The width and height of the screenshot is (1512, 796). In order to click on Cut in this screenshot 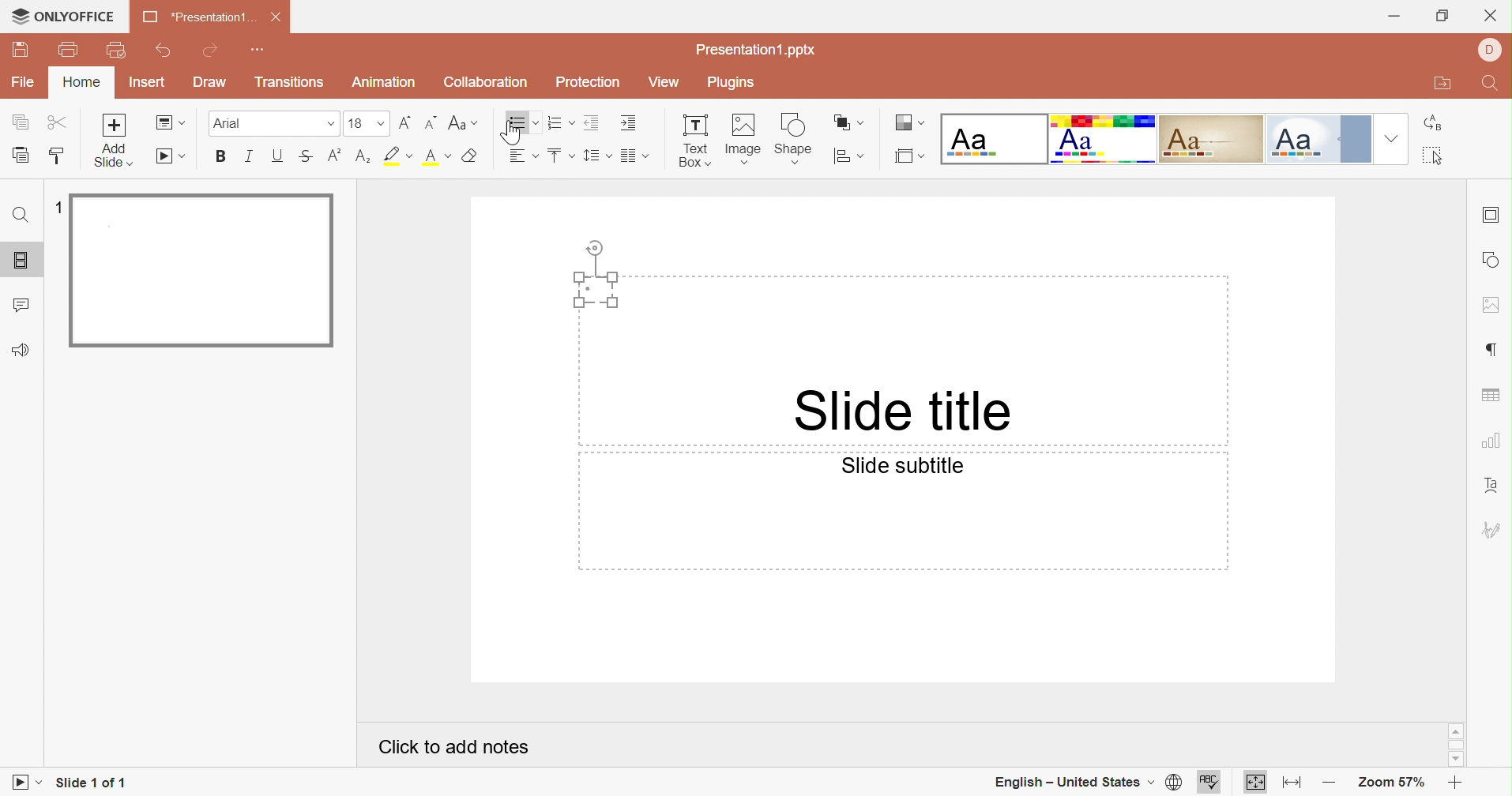, I will do `click(59, 123)`.